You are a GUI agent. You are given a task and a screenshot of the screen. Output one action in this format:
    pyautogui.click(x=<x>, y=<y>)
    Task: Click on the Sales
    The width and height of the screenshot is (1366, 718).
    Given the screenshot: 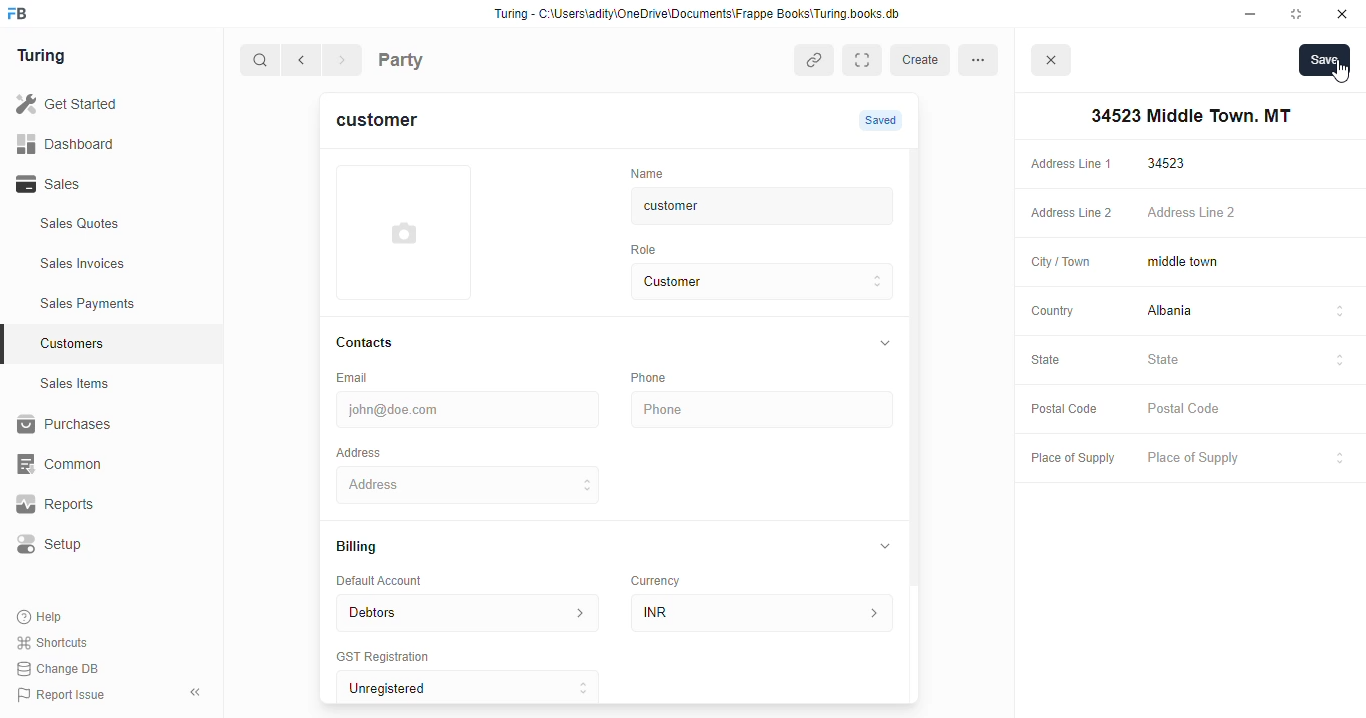 What is the action you would take?
    pyautogui.click(x=98, y=184)
    